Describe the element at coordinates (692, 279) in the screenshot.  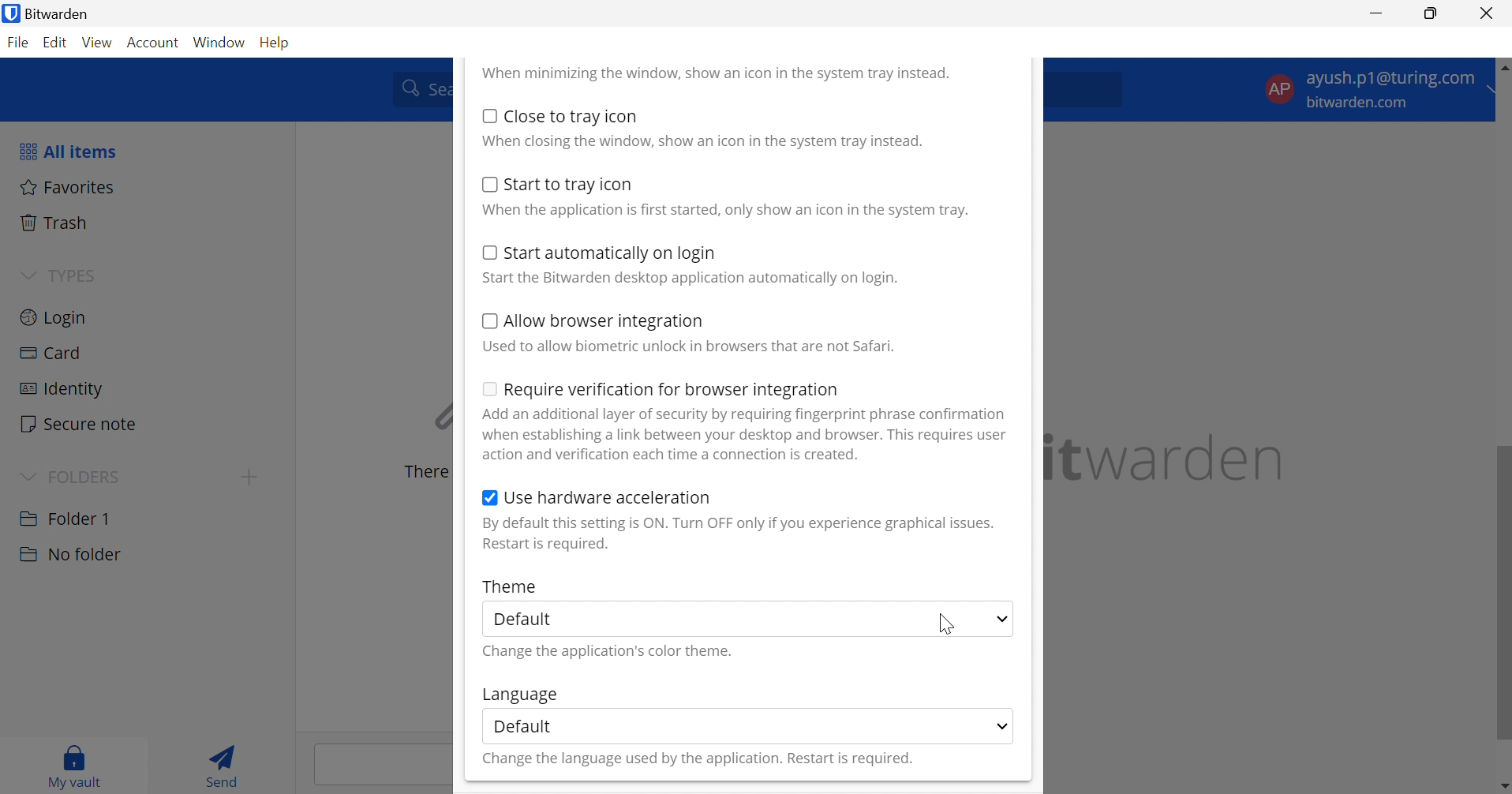
I see `Start the Bitwarden desktop application automatically on login.` at that location.